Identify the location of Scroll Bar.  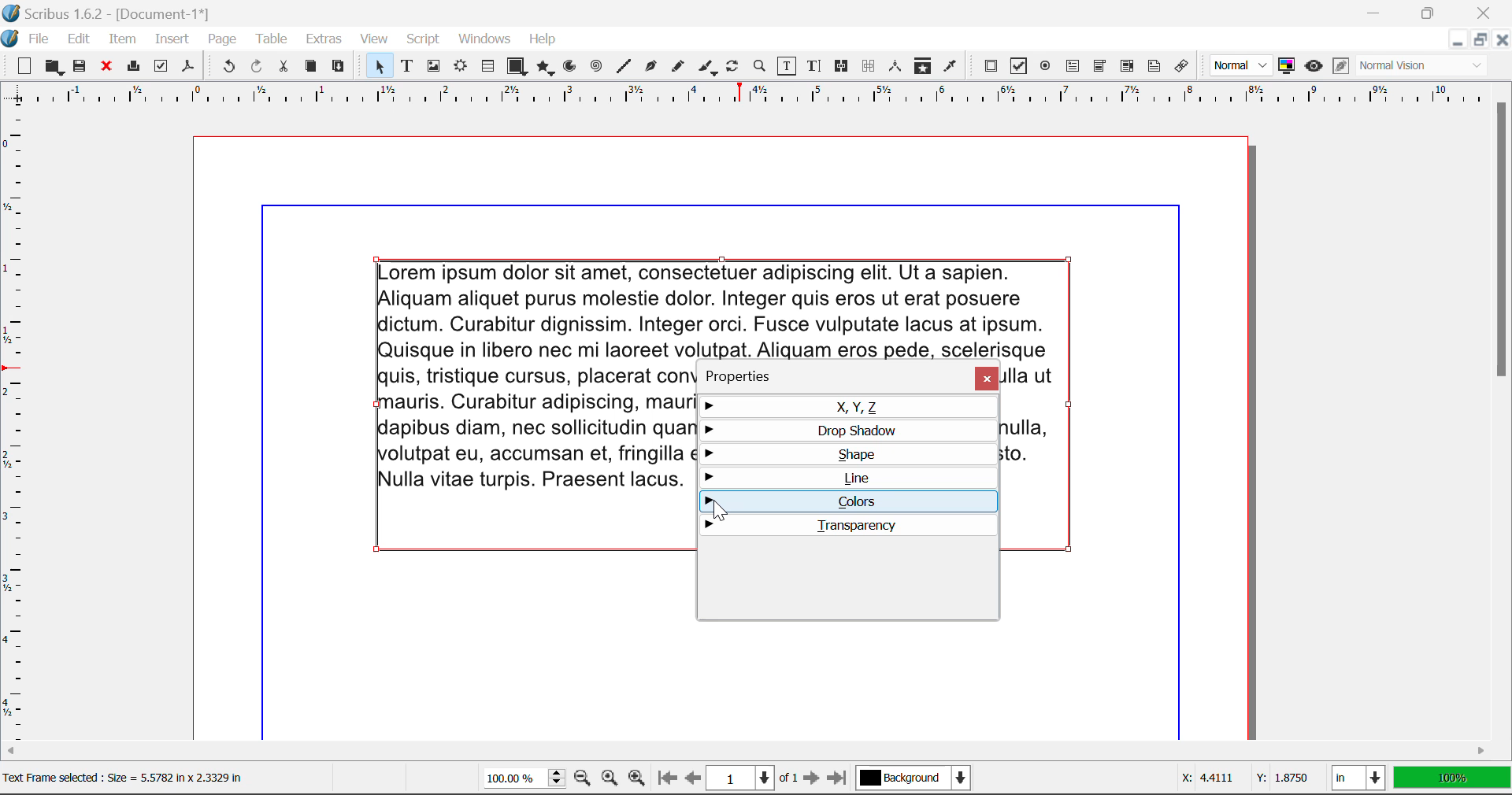
(1503, 411).